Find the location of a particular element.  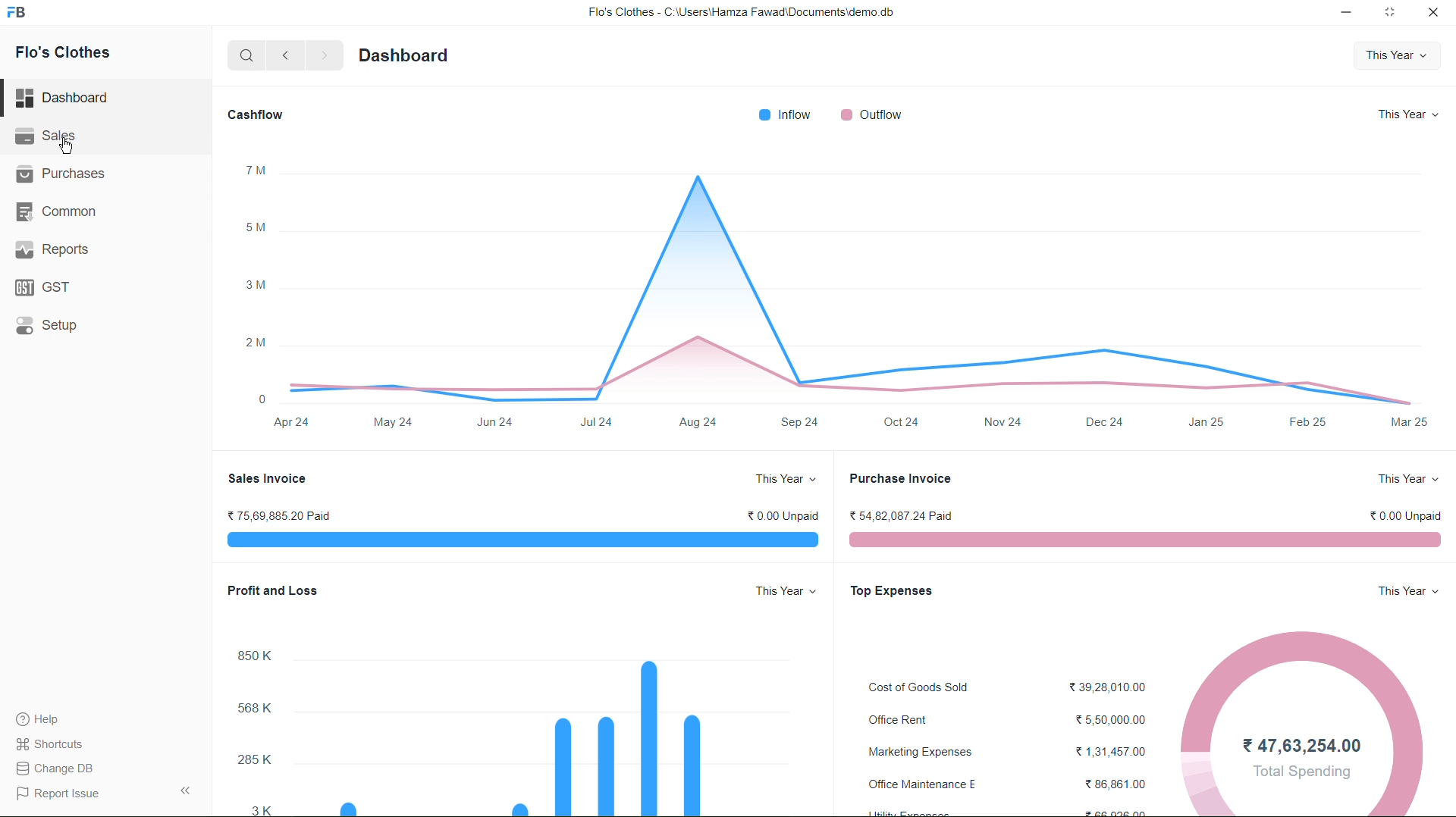

285K is located at coordinates (250, 760).